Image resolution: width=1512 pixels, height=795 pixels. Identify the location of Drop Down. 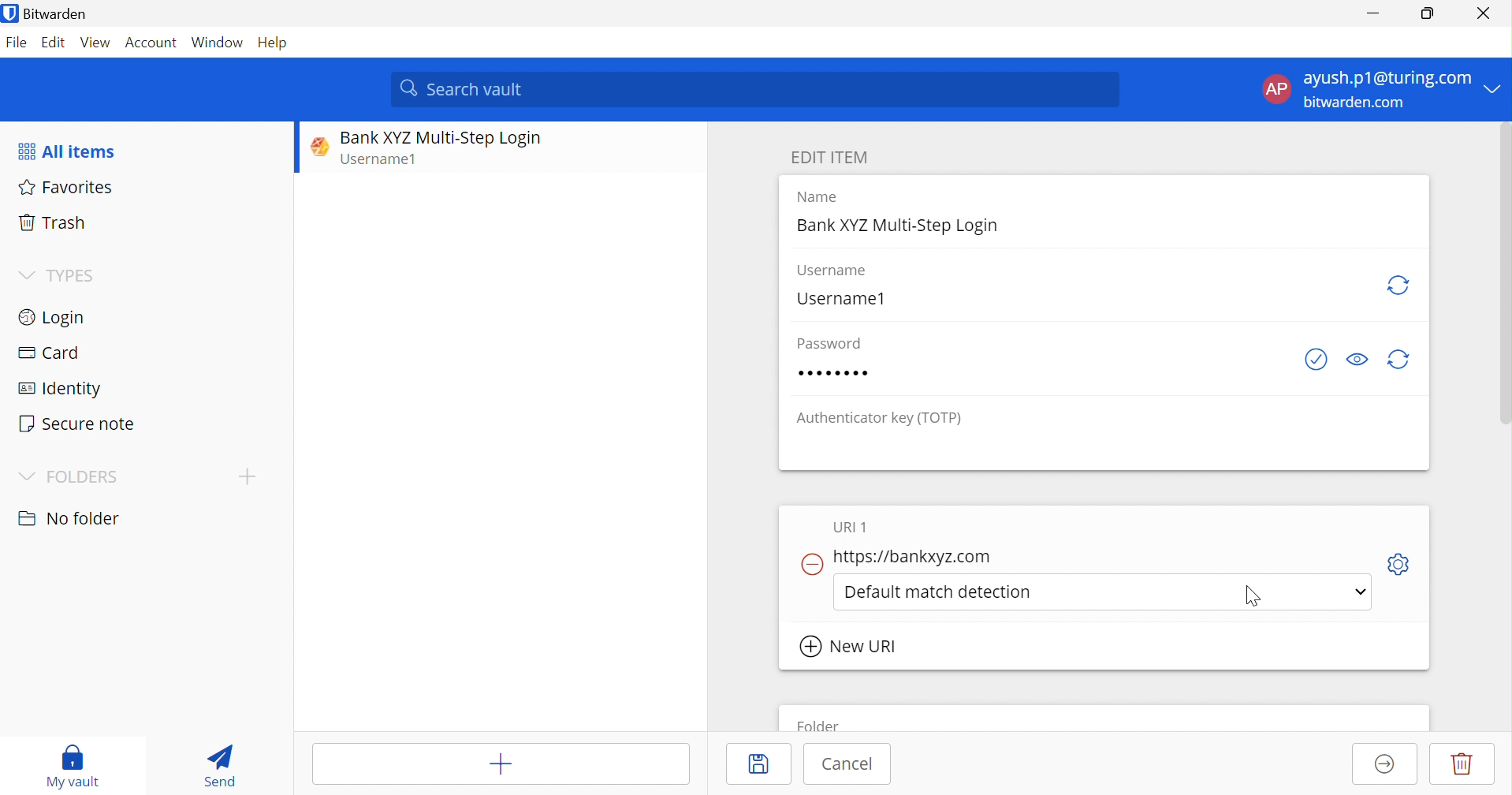
(1358, 595).